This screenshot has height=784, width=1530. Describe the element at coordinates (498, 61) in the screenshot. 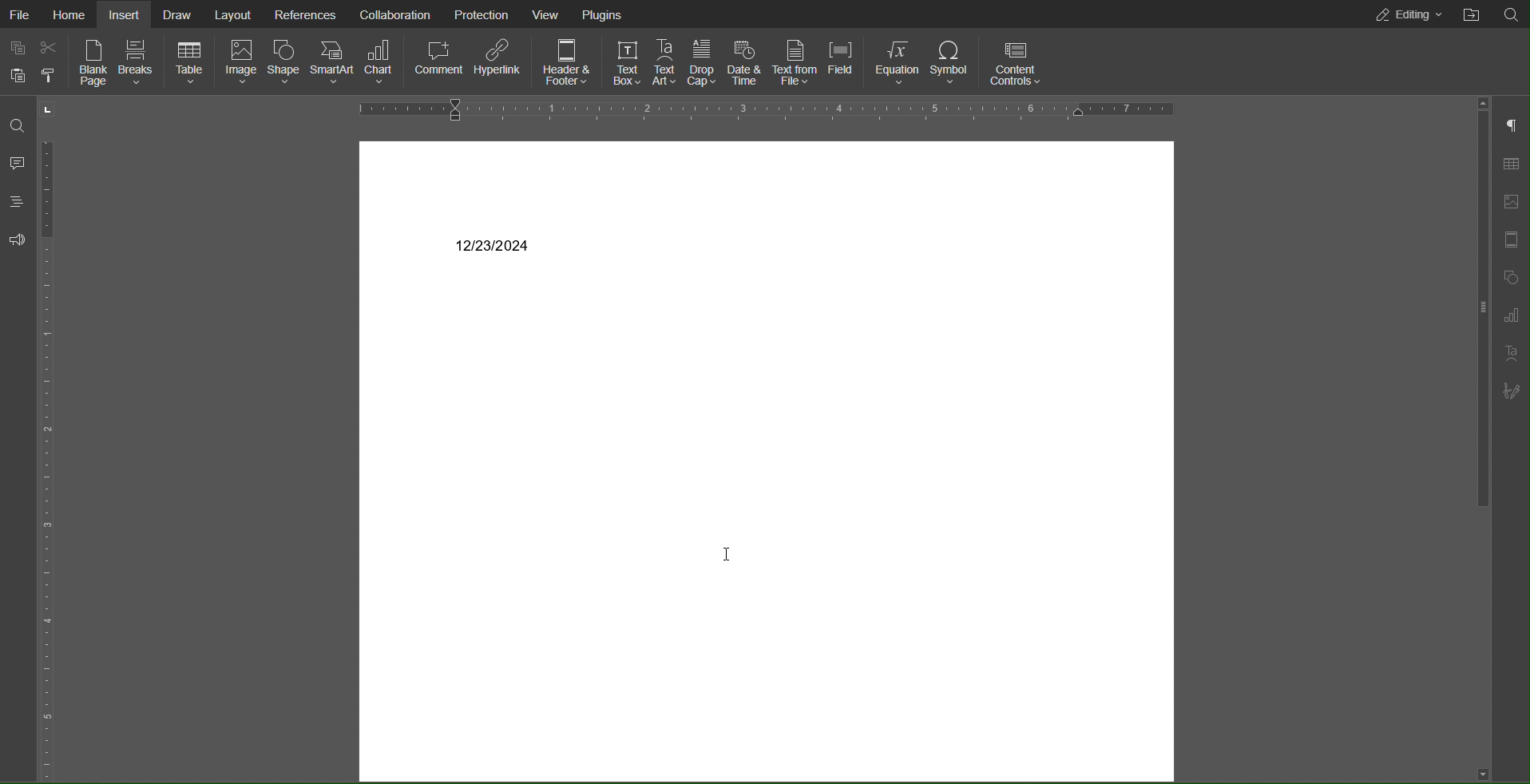

I see `Hyperlink` at that location.